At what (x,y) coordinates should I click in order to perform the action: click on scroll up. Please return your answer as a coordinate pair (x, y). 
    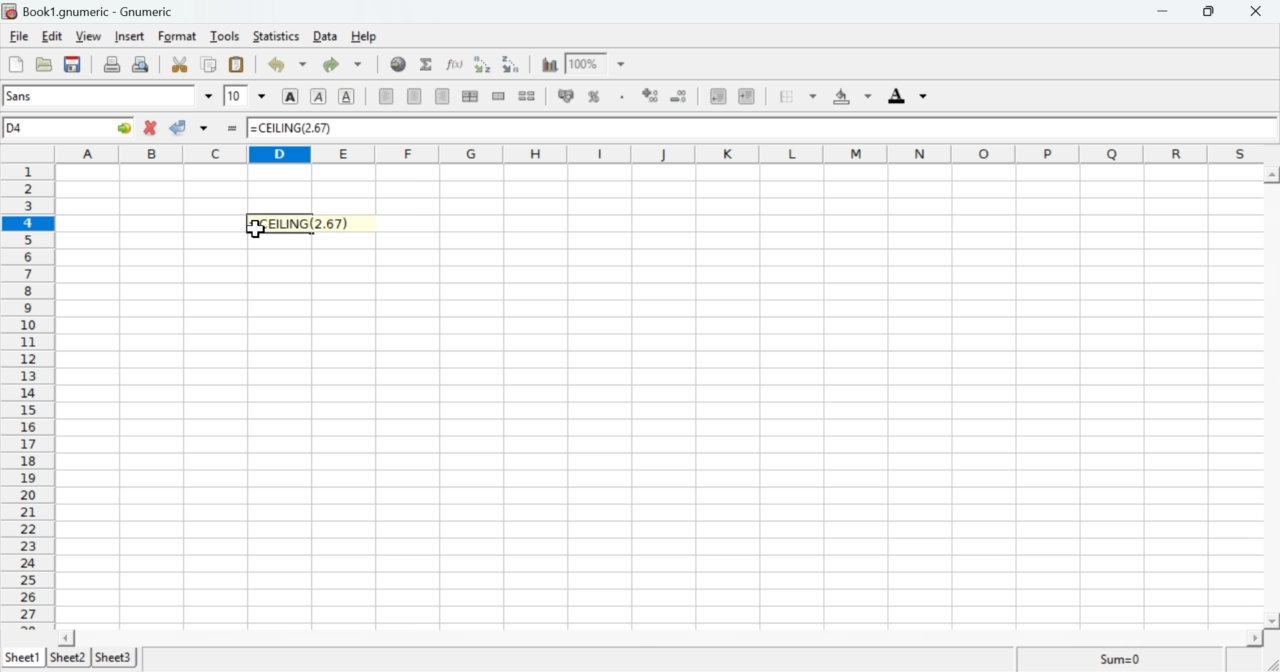
    Looking at the image, I should click on (1272, 174).